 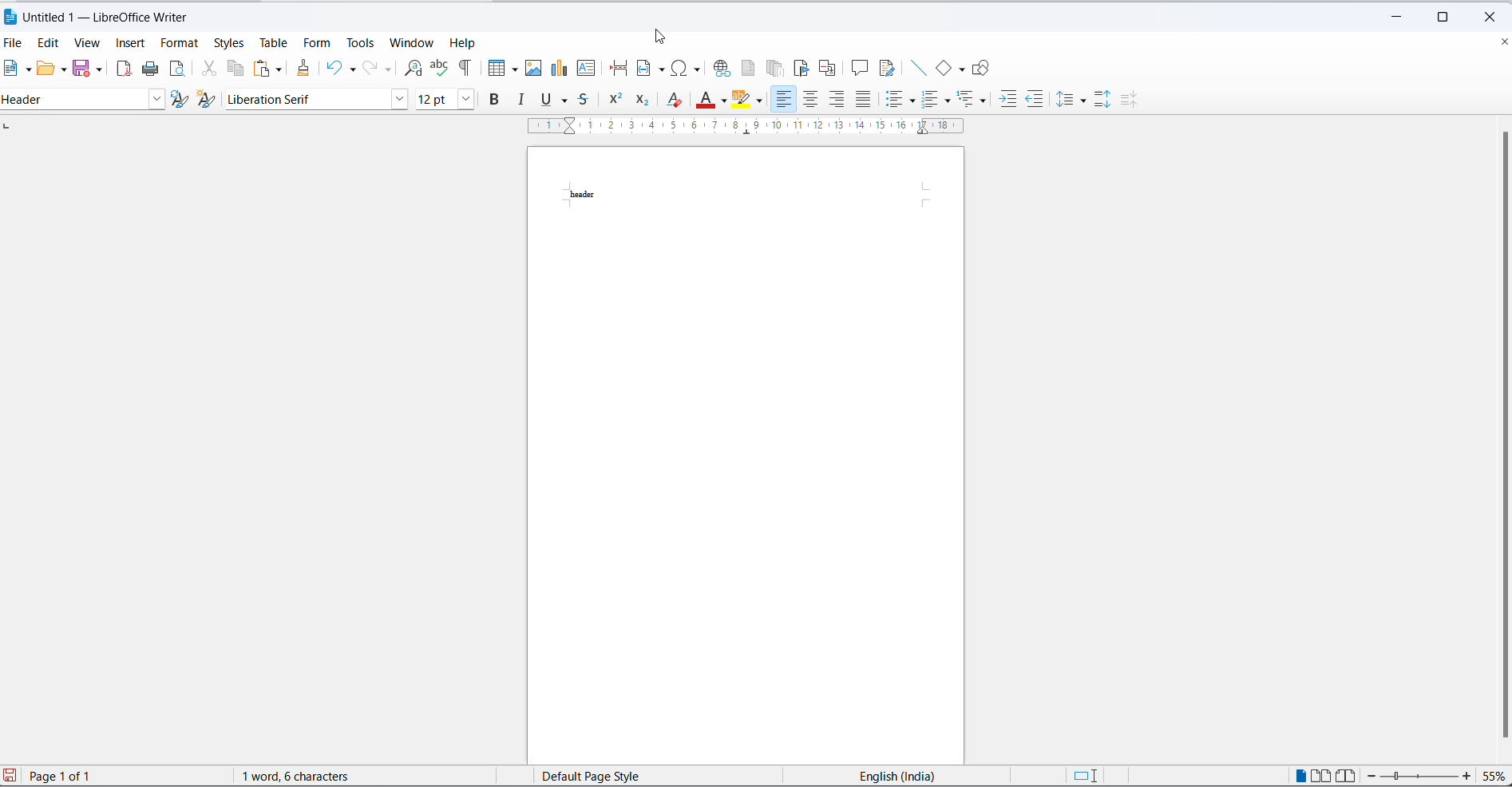 I want to click on styles, so click(x=228, y=43).